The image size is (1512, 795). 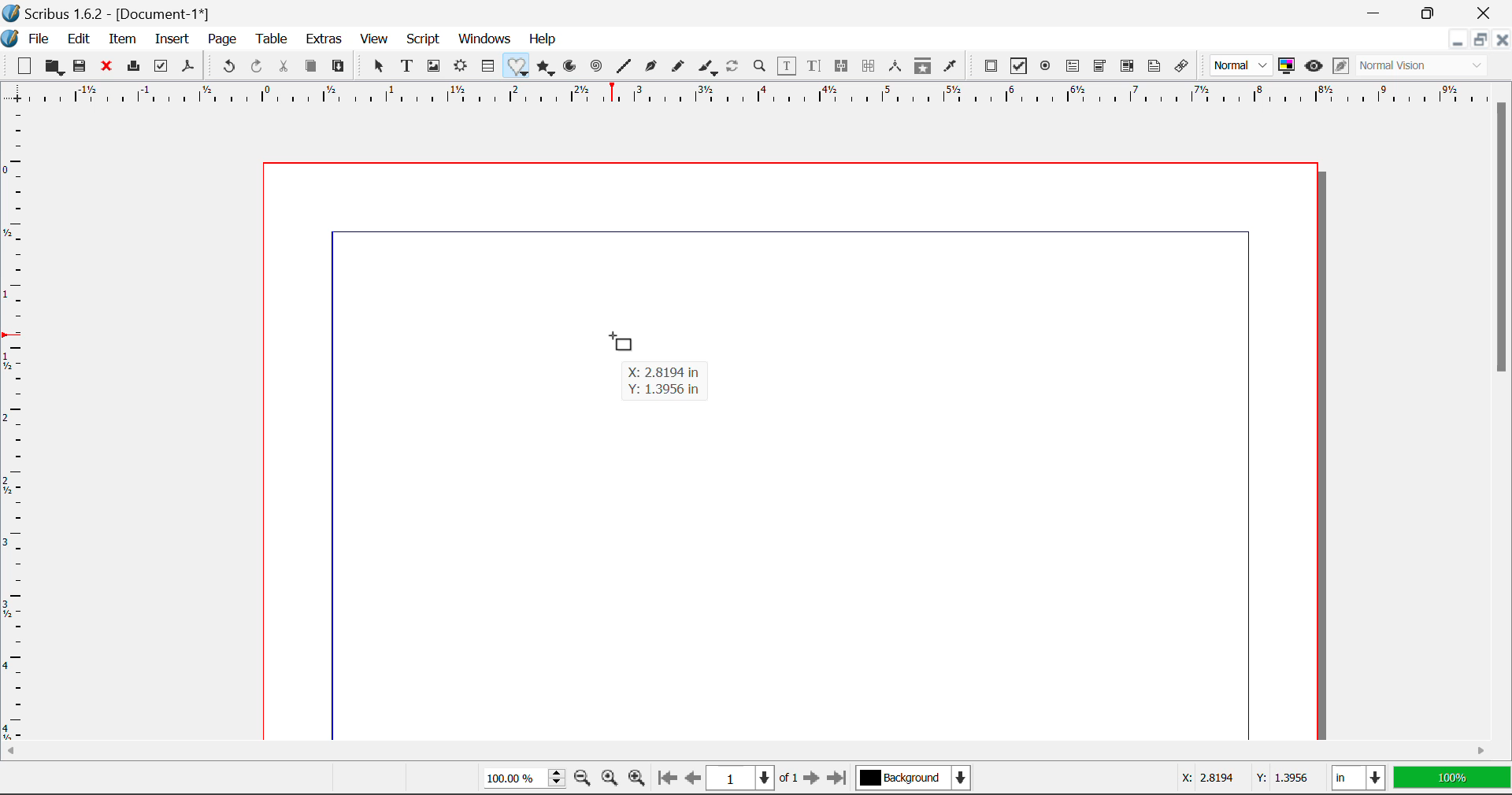 What do you see at coordinates (813, 779) in the screenshot?
I see `Next` at bounding box center [813, 779].